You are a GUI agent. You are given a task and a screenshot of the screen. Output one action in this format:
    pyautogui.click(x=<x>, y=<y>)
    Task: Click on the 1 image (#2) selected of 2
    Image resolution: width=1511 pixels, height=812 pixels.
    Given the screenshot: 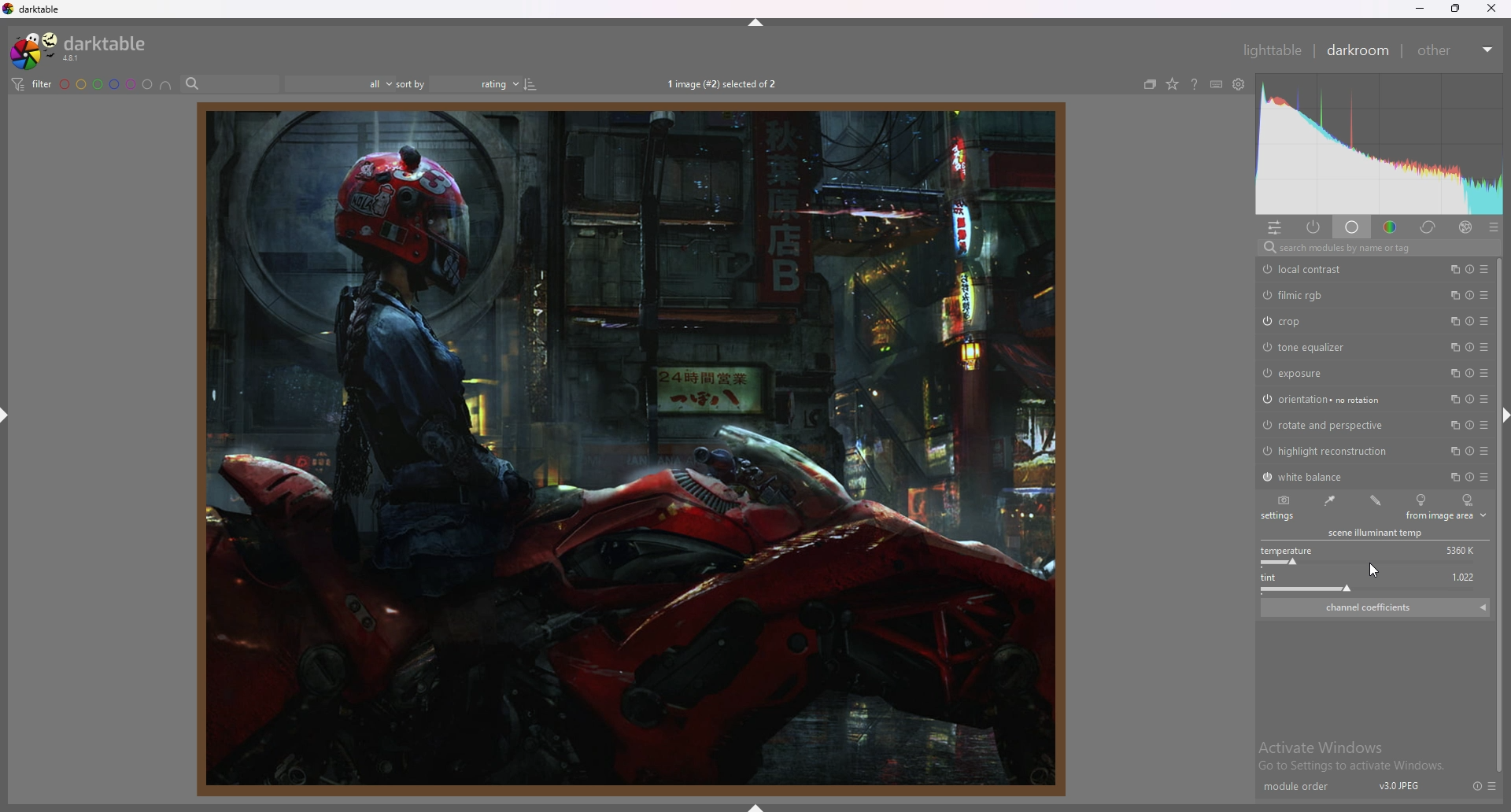 What is the action you would take?
    pyautogui.click(x=726, y=83)
    